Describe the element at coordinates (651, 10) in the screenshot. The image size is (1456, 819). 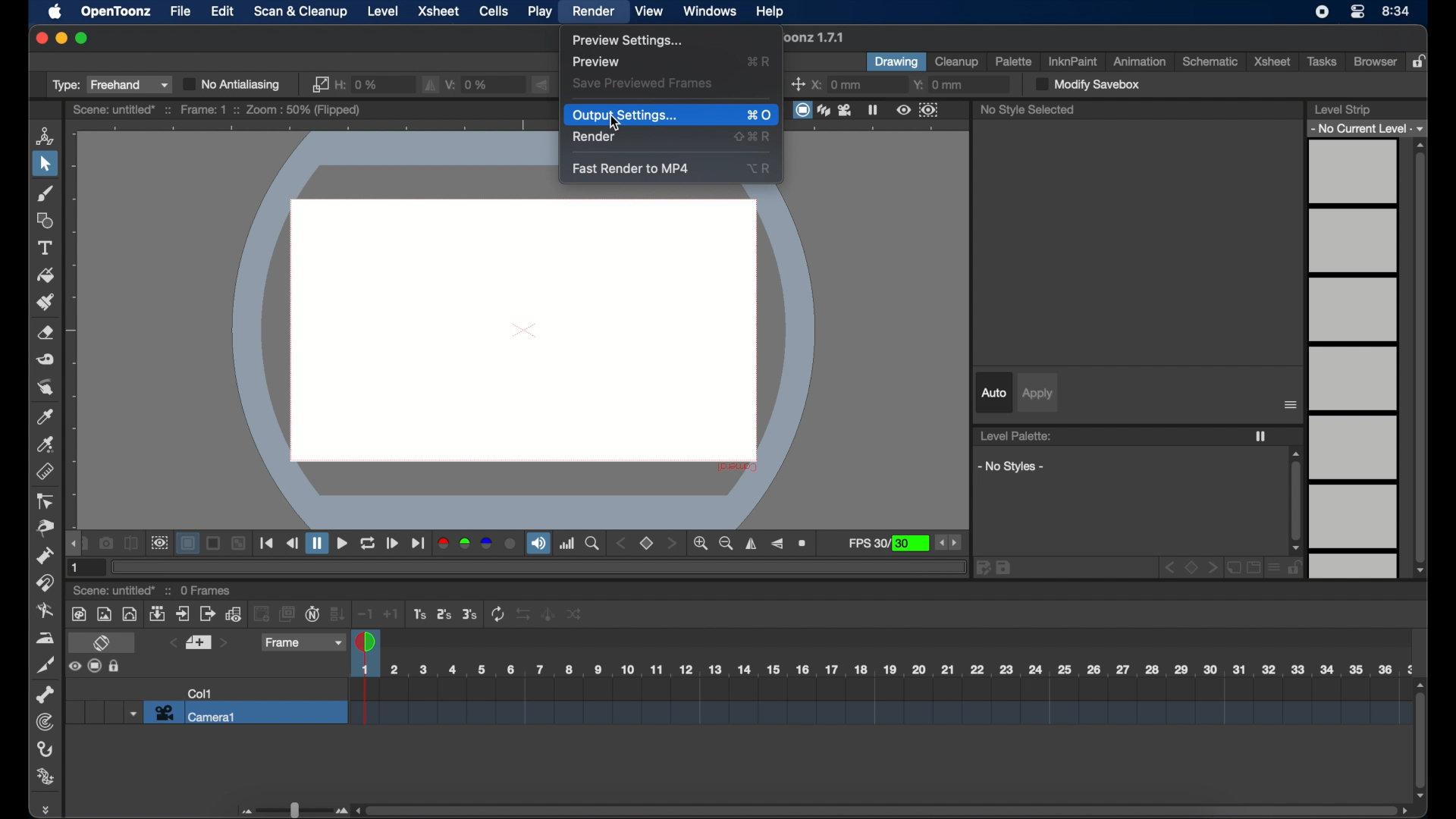
I see `view` at that location.